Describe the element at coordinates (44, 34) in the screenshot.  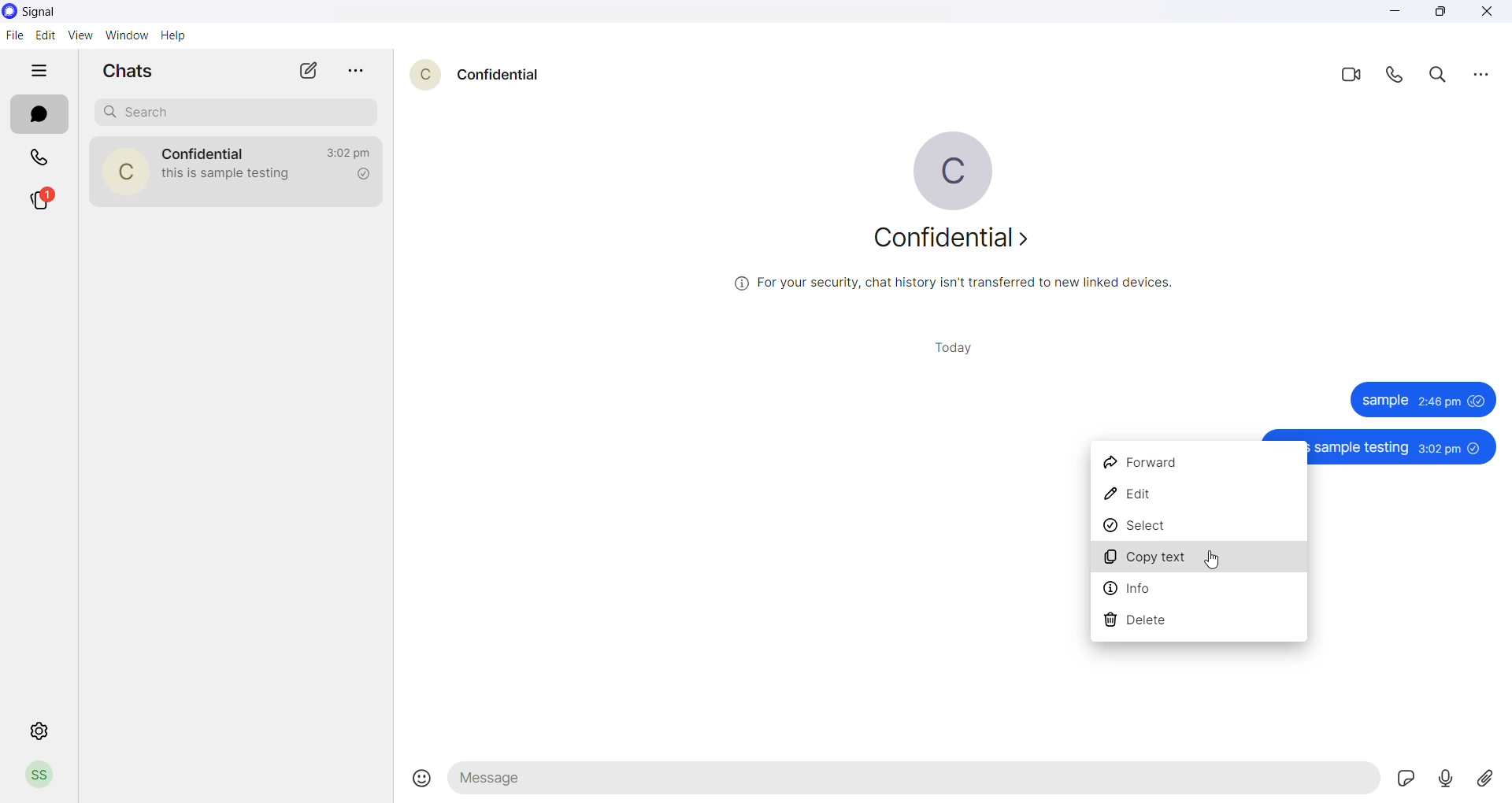
I see `edit` at that location.